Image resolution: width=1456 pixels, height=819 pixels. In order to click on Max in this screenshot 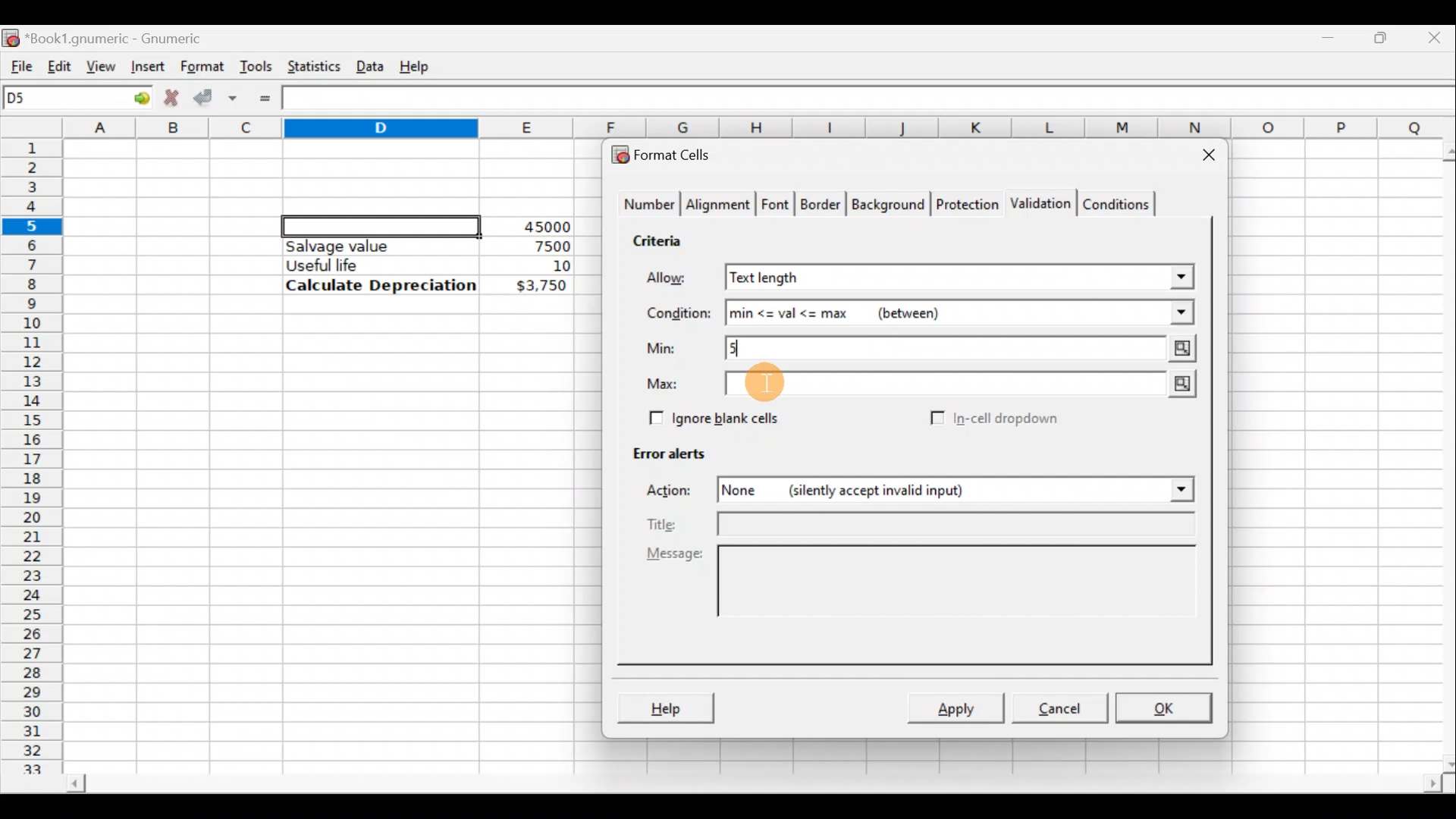, I will do `click(668, 384)`.